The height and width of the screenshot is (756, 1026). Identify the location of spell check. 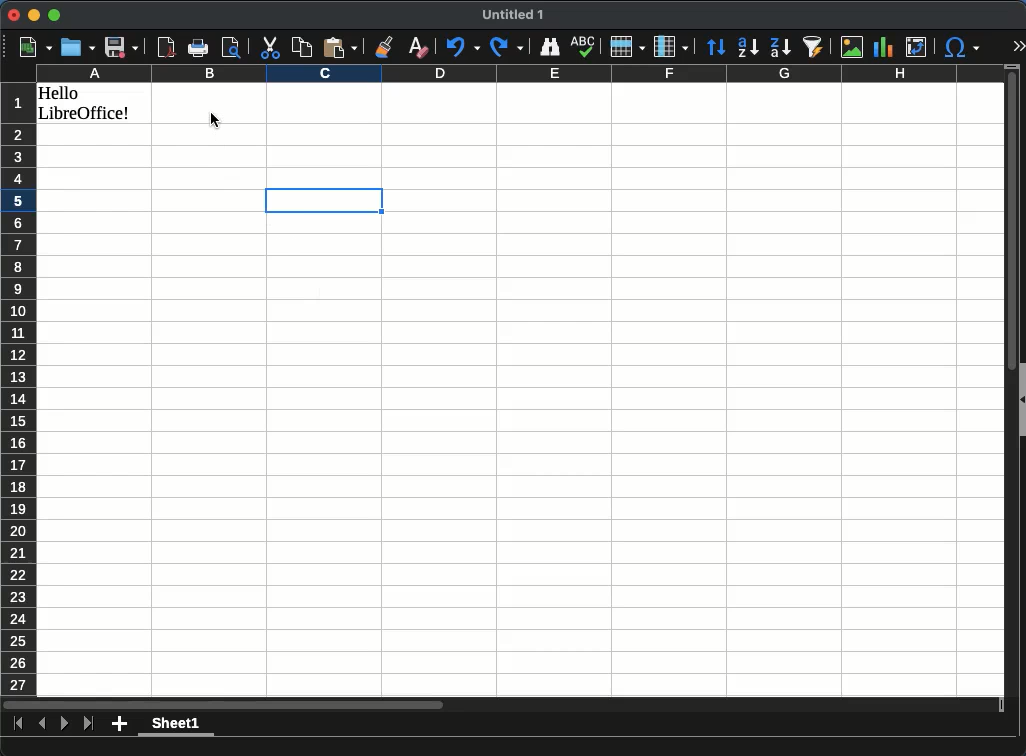
(583, 45).